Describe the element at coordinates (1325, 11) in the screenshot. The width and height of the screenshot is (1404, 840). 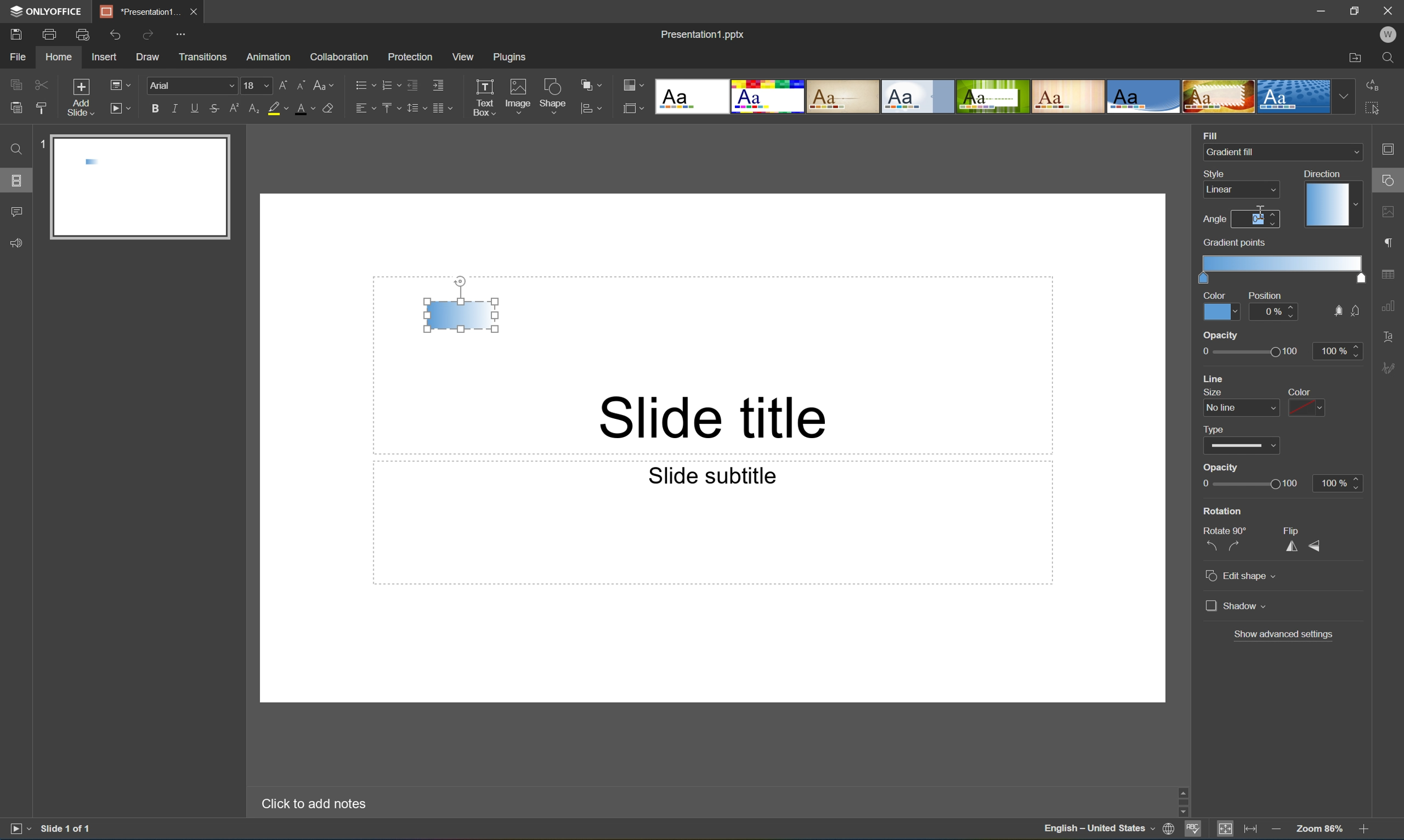
I see `Minimize` at that location.